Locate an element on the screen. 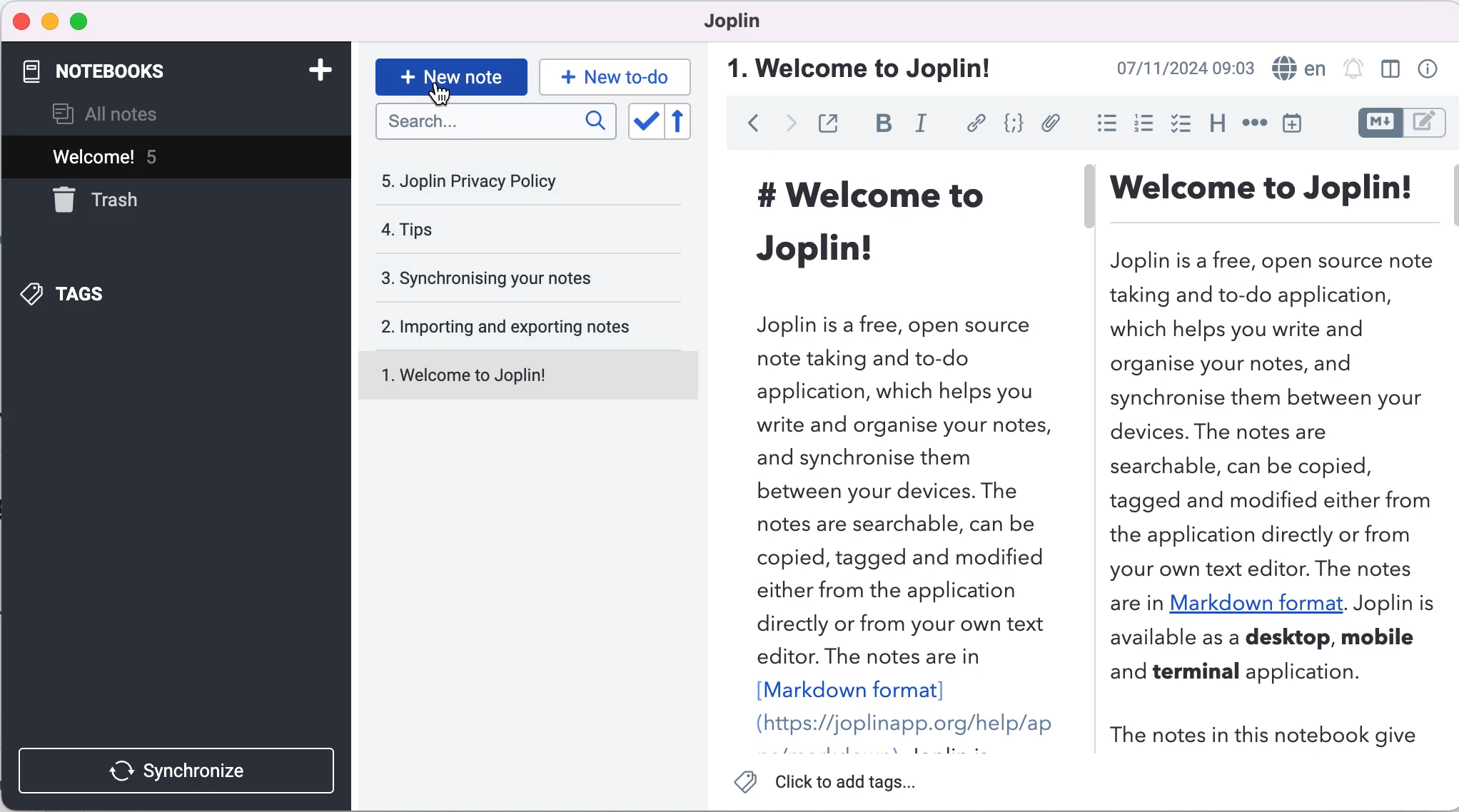  # Welcome to
Joplin!

Joplin is a free, open source
note taking and to-do
application, which helps you
write and organise your notes,
and synchronise them
between your devices. The
notes are searchable, can be
copied, tagged and modified
either from the application
directly or from your own text
editor. The notes are in
[Markdown format]
(https://joplinapp.org/help/ap is located at coordinates (889, 454).